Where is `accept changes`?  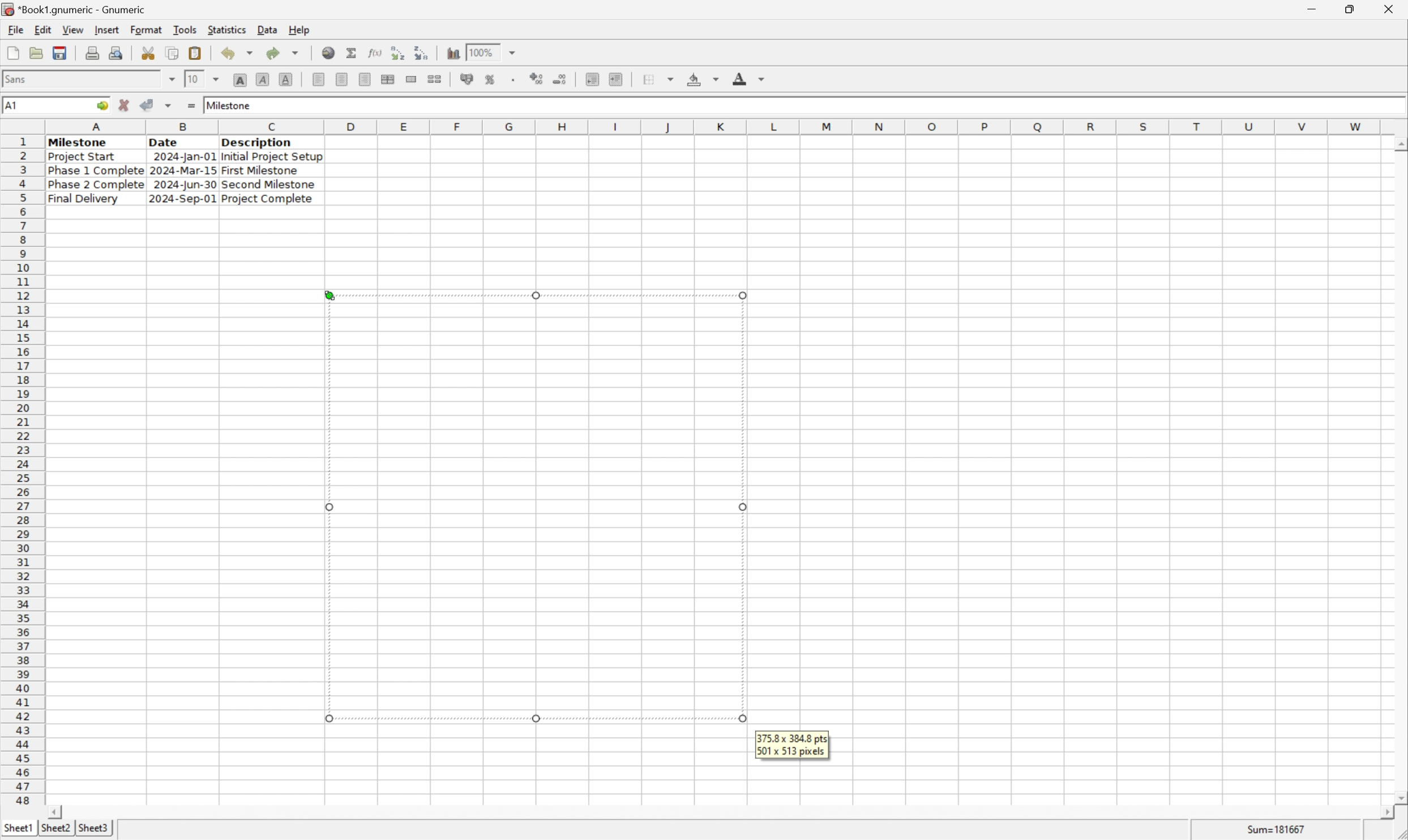 accept changes is located at coordinates (151, 104).